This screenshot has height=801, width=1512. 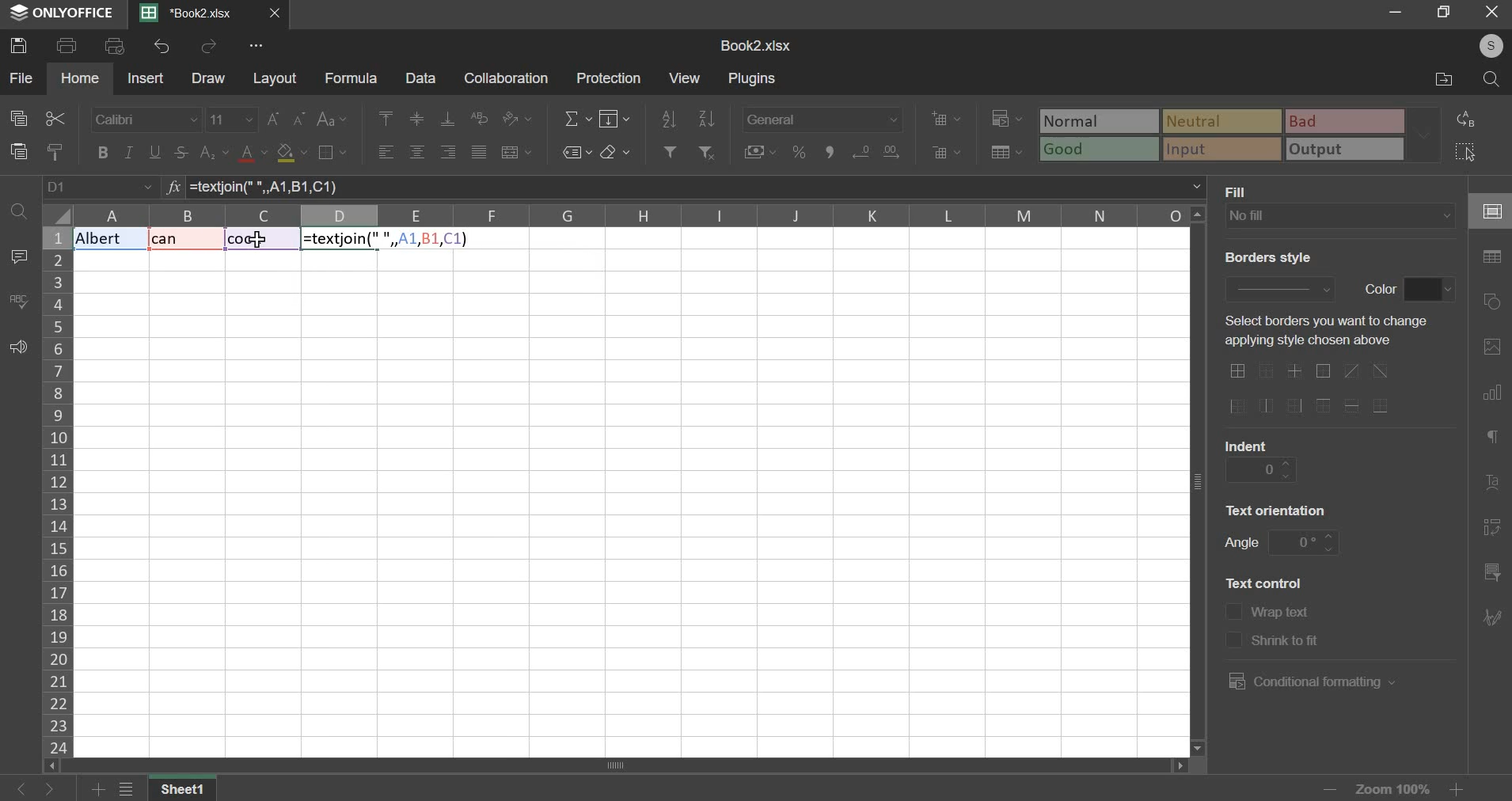 What do you see at coordinates (1474, 152) in the screenshot?
I see `select` at bounding box center [1474, 152].